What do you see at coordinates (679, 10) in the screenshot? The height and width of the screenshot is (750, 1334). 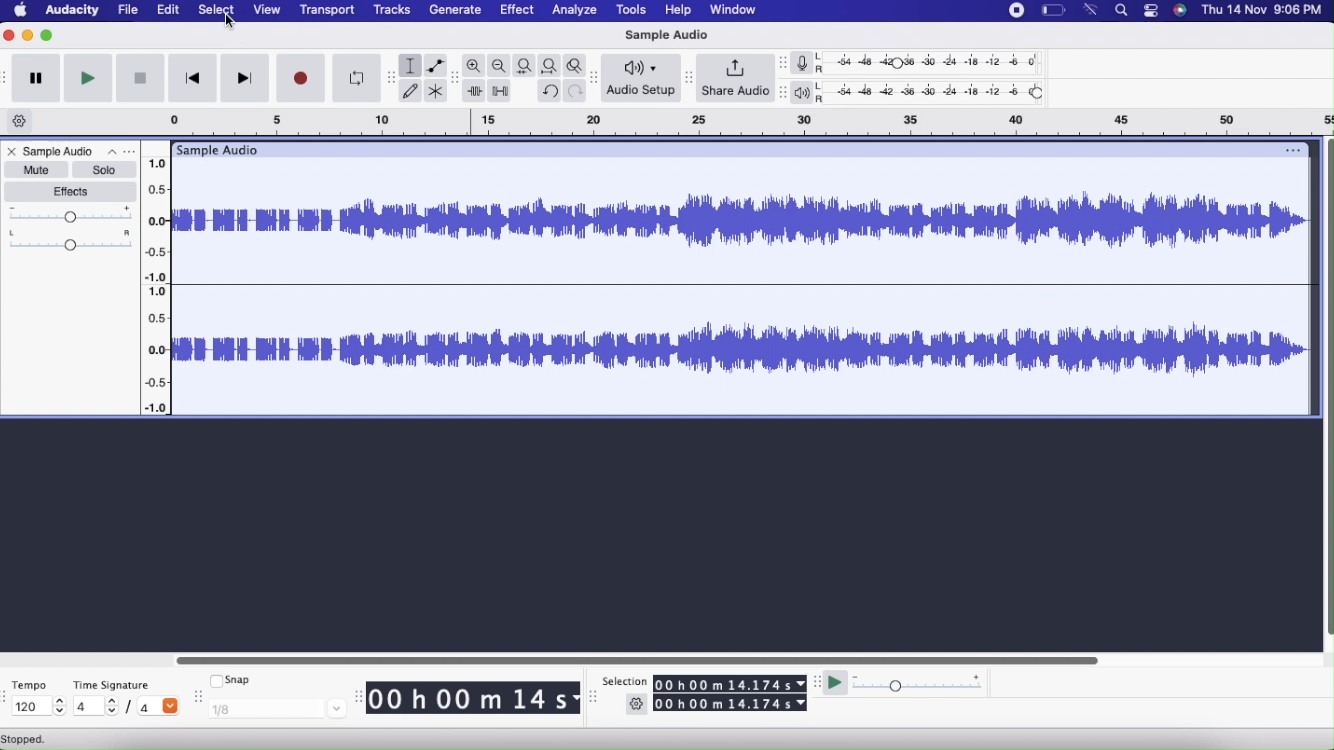 I see `Help` at bounding box center [679, 10].